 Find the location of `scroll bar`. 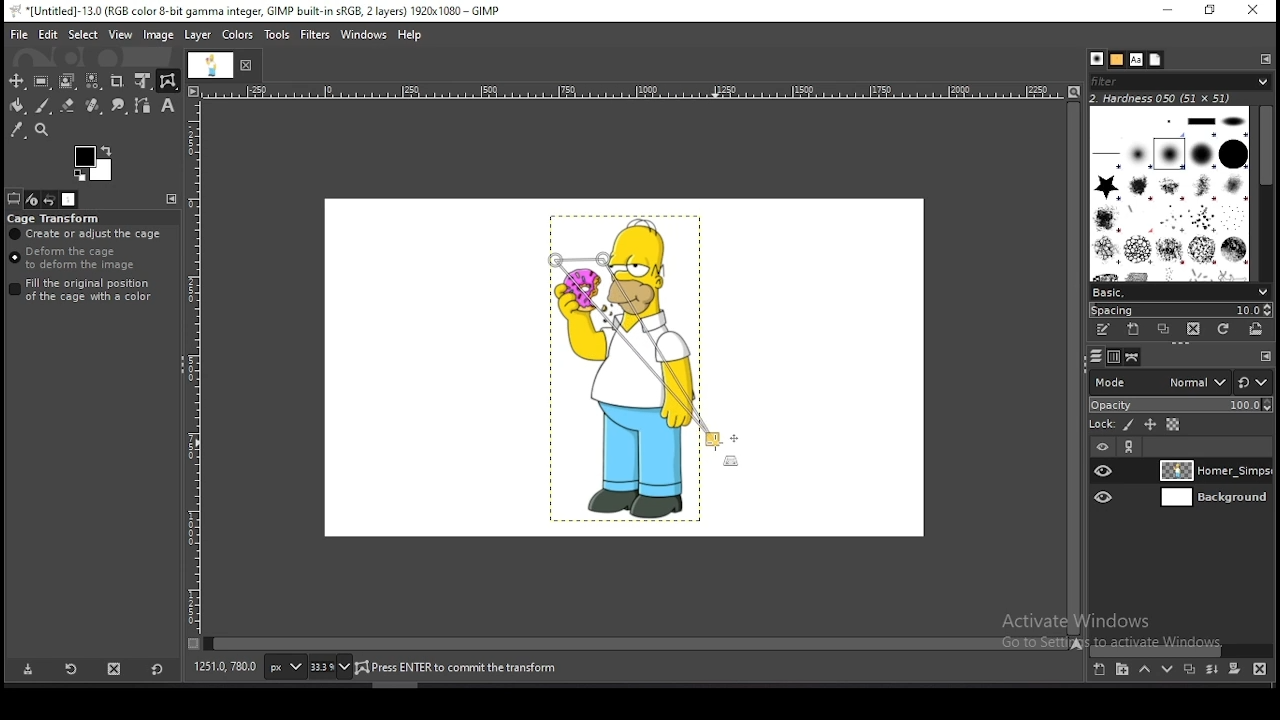

scroll bar is located at coordinates (1072, 367).